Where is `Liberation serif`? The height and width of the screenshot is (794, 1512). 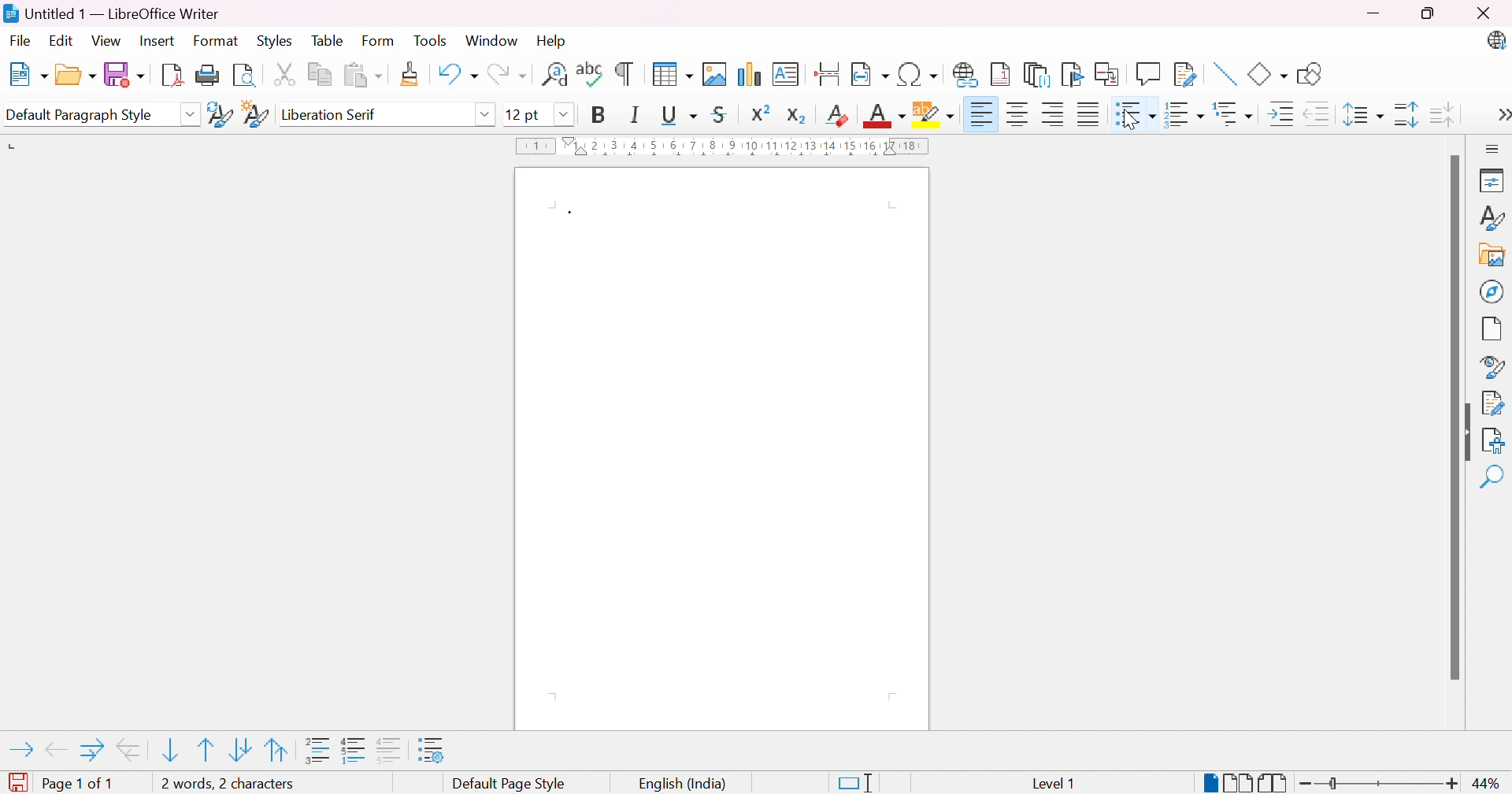 Liberation serif is located at coordinates (329, 113).